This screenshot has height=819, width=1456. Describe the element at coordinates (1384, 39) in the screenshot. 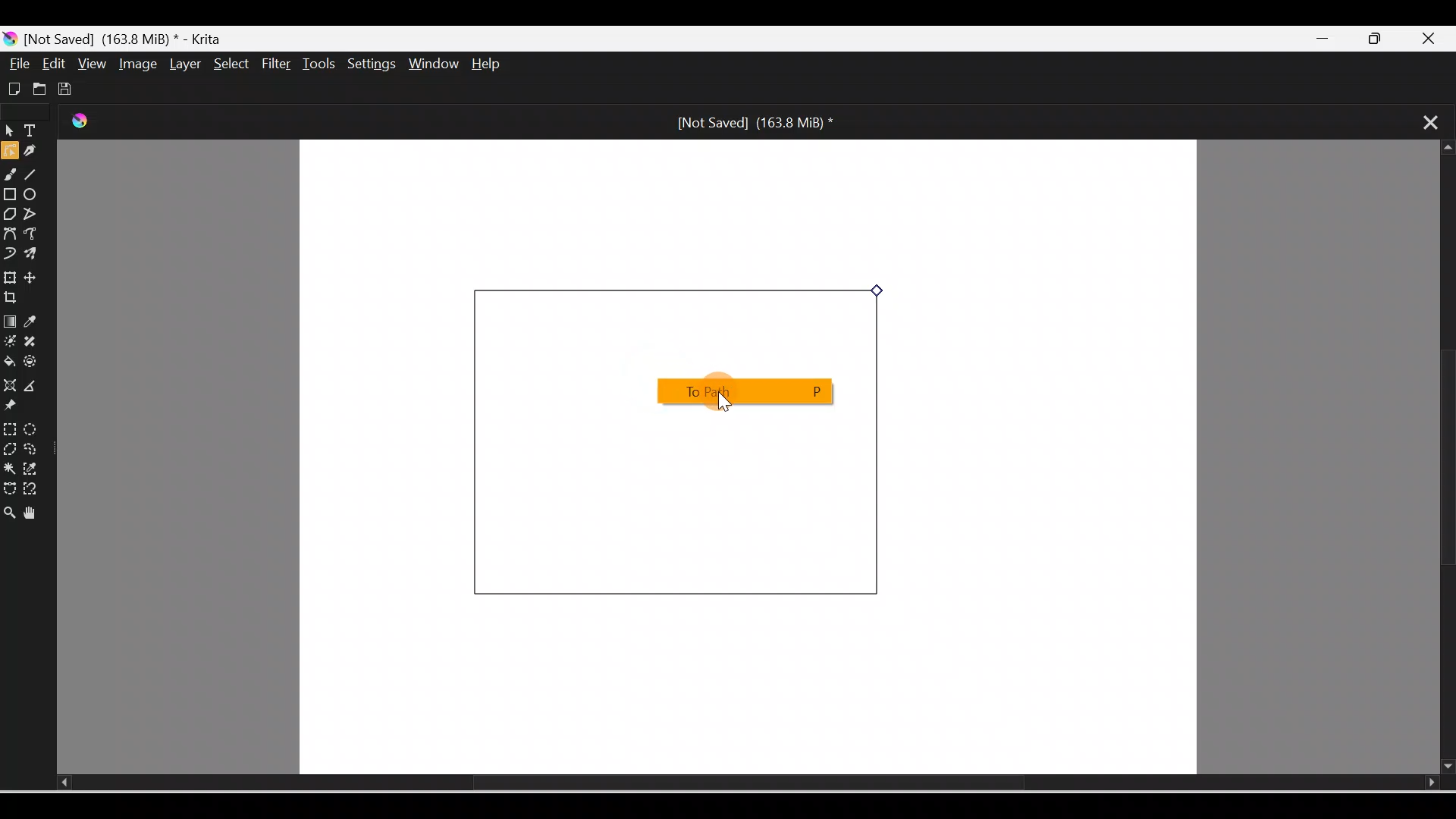

I see `Maximize` at that location.